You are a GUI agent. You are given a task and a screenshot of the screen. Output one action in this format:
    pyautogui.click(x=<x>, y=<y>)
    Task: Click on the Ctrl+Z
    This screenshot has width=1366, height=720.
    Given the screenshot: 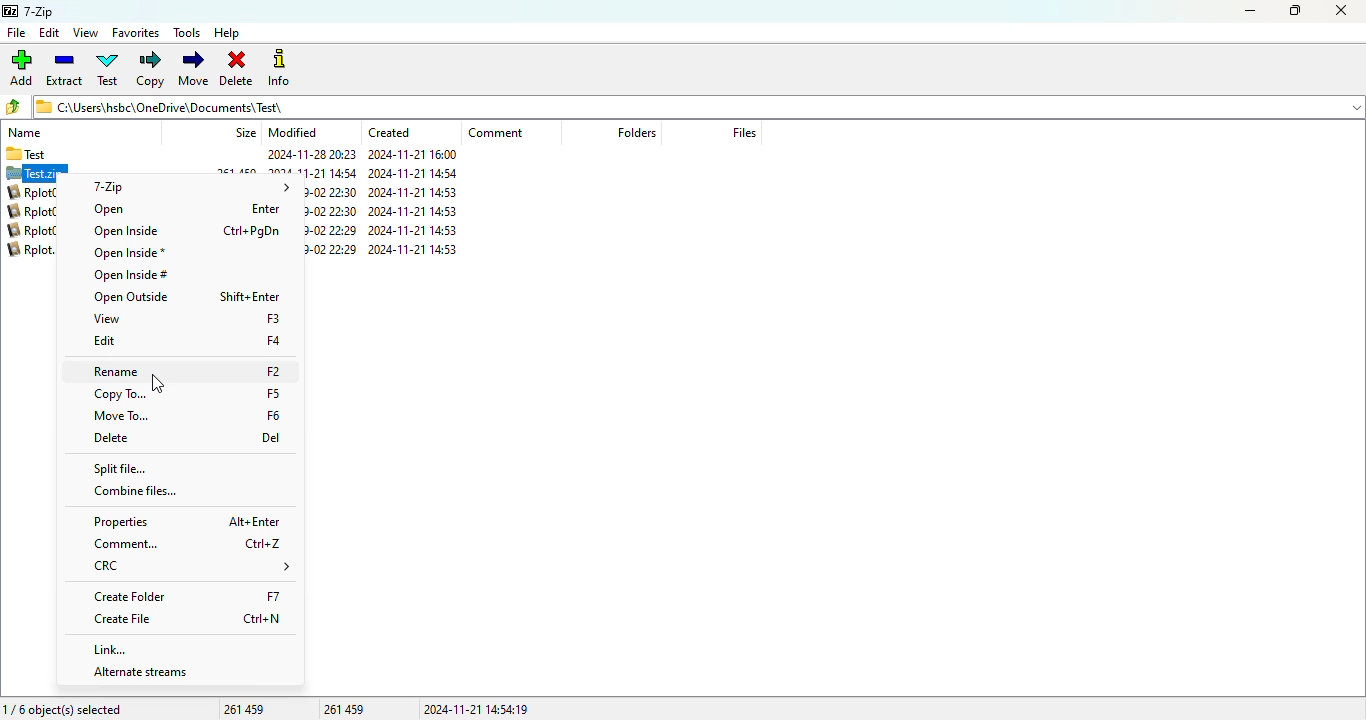 What is the action you would take?
    pyautogui.click(x=264, y=544)
    